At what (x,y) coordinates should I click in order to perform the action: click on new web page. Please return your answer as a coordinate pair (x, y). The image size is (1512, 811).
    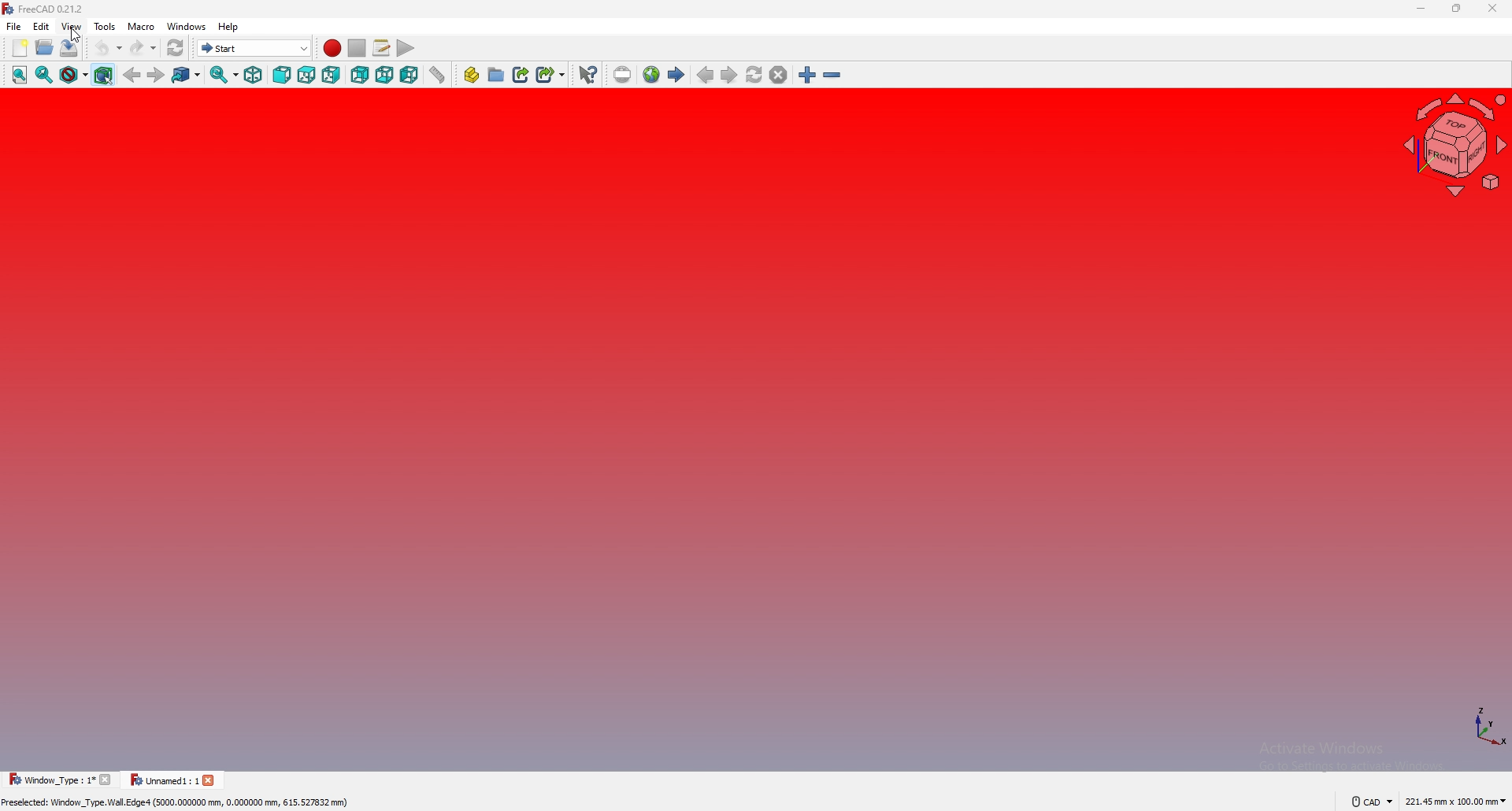
    Looking at the image, I should click on (651, 74).